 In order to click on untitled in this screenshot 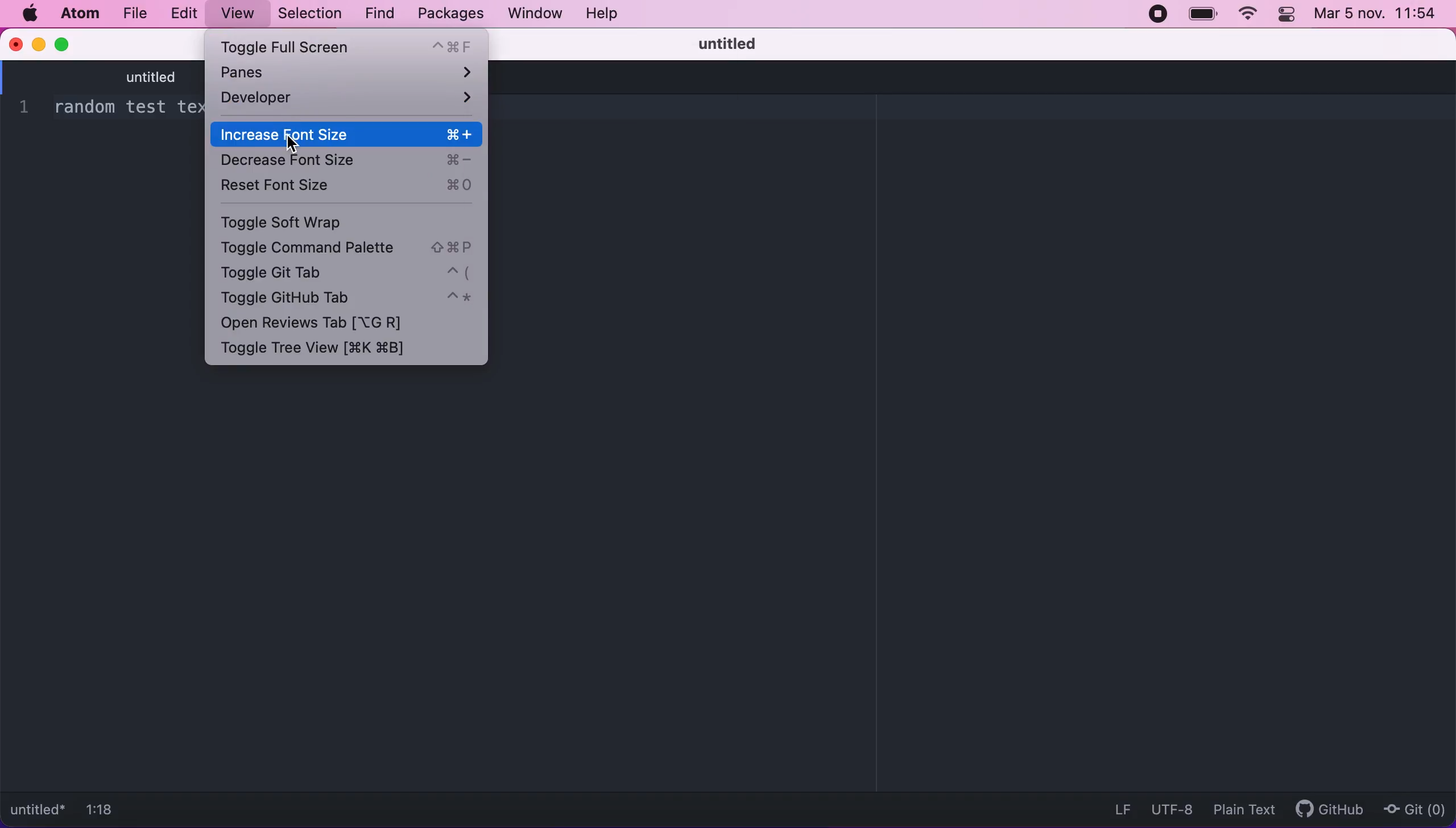, I will do `click(739, 43)`.